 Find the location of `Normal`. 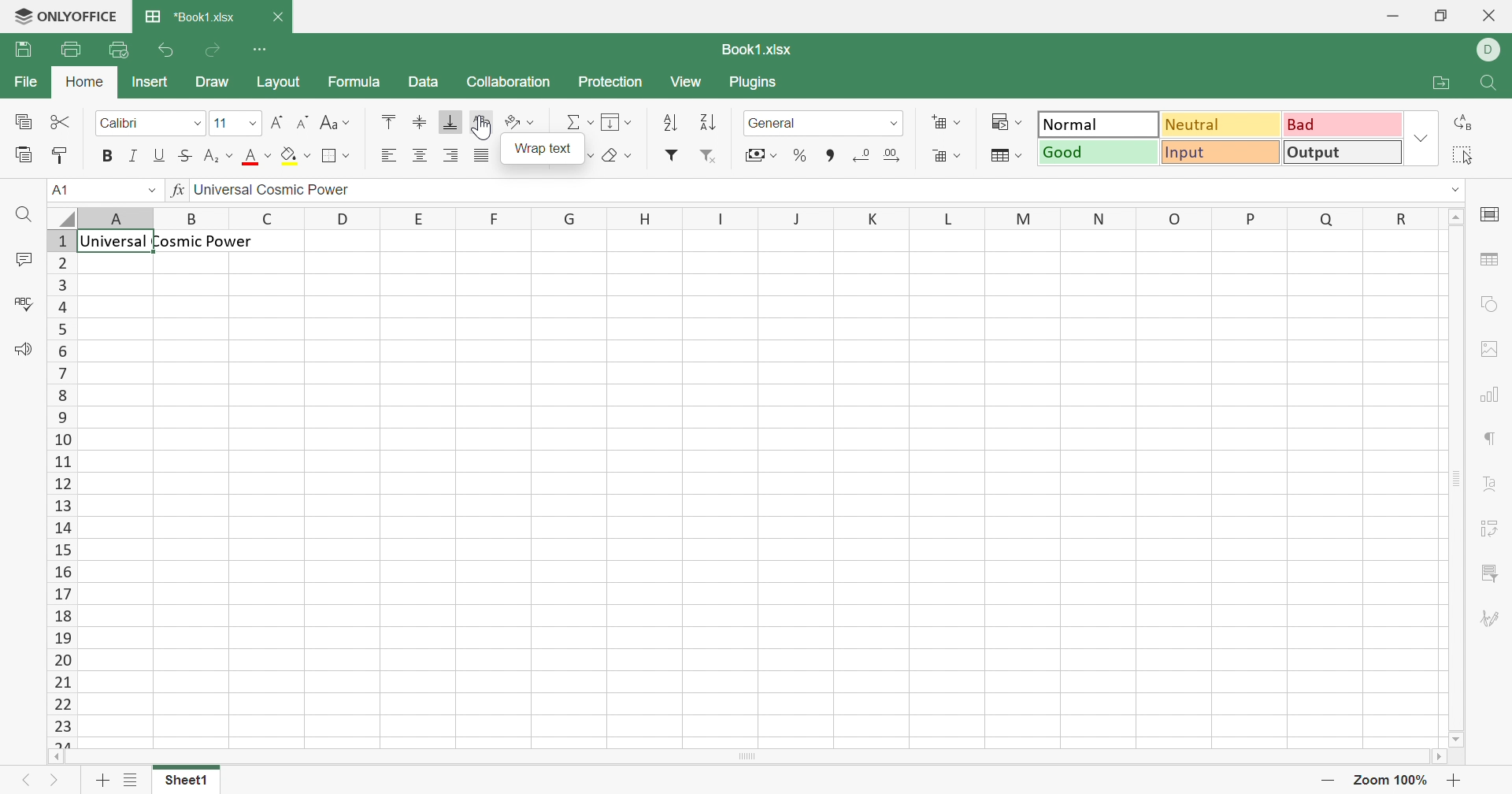

Normal is located at coordinates (1098, 125).